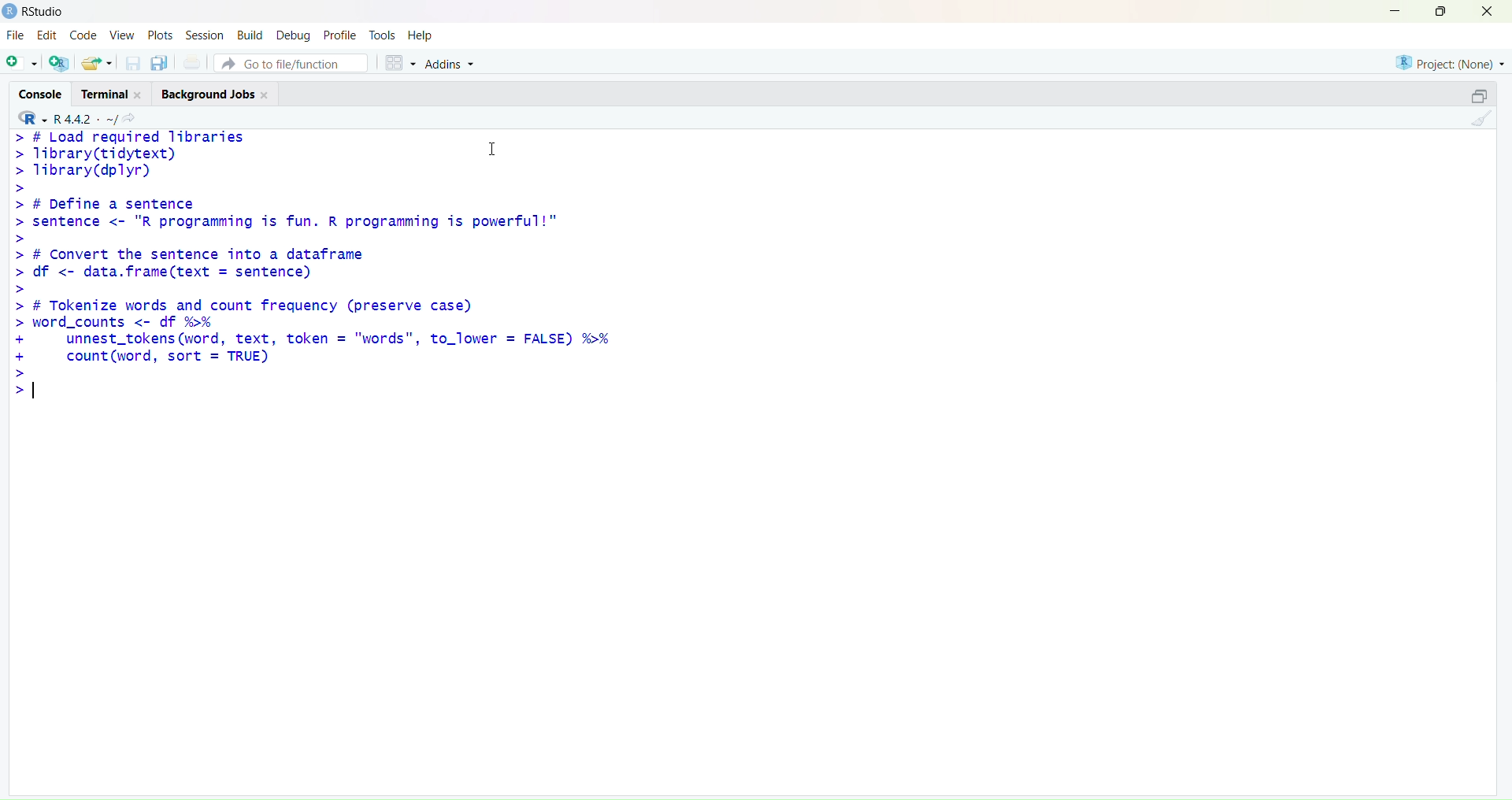 This screenshot has height=800, width=1512. Describe the element at coordinates (450, 65) in the screenshot. I see `addins` at that location.